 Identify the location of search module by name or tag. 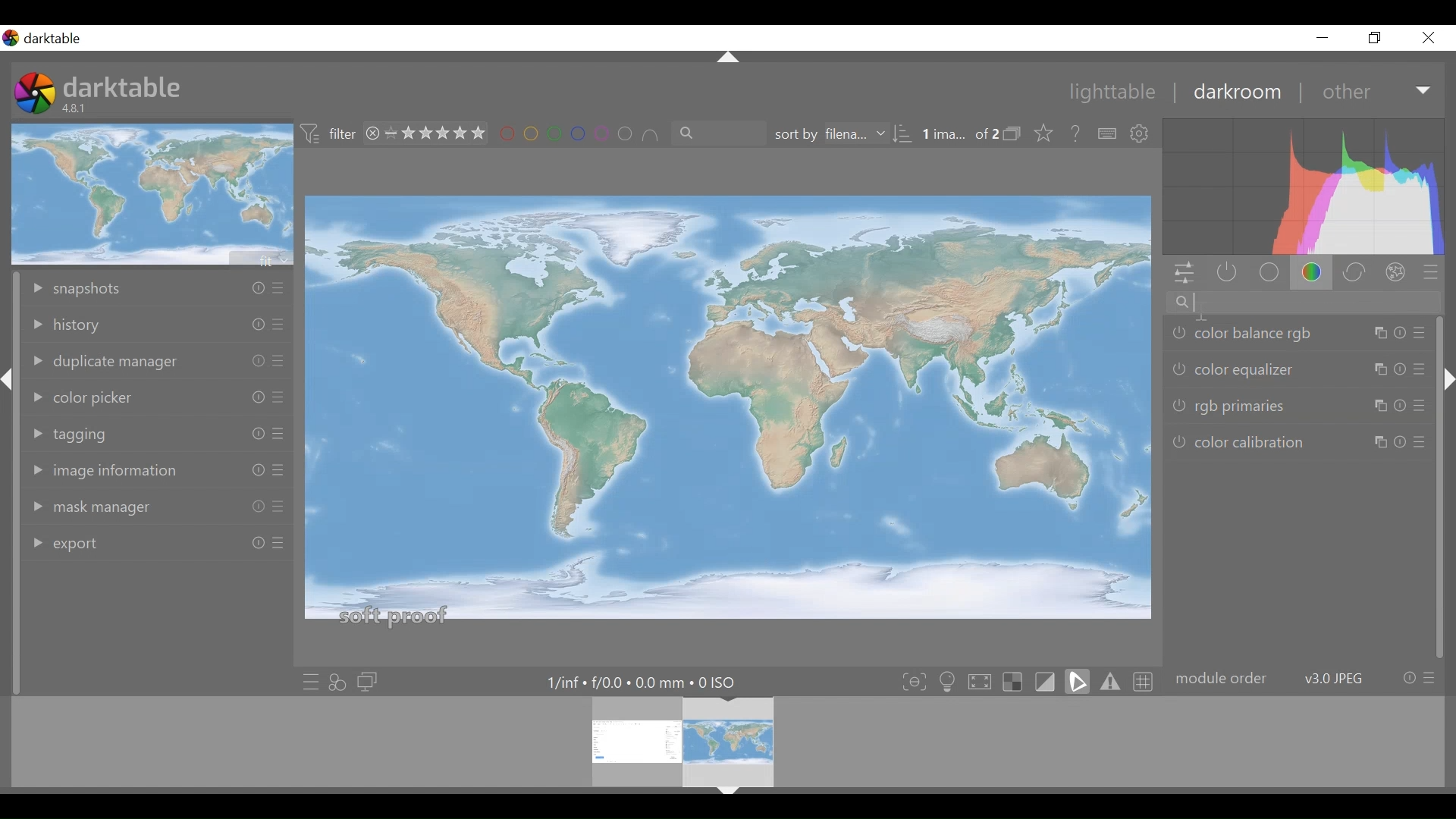
(1300, 304).